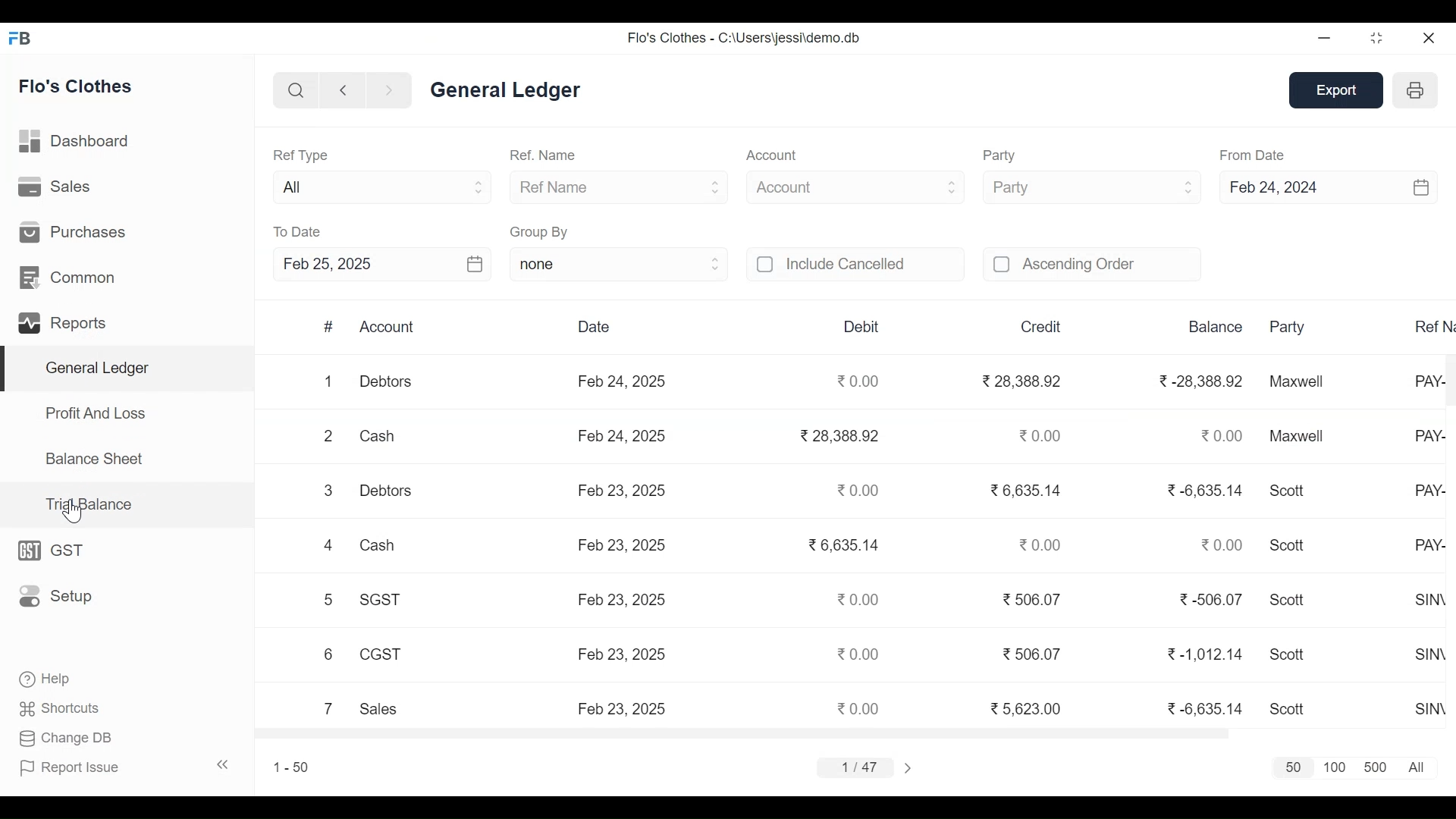 The image size is (1456, 819). I want to click on Move Forward, so click(390, 90).